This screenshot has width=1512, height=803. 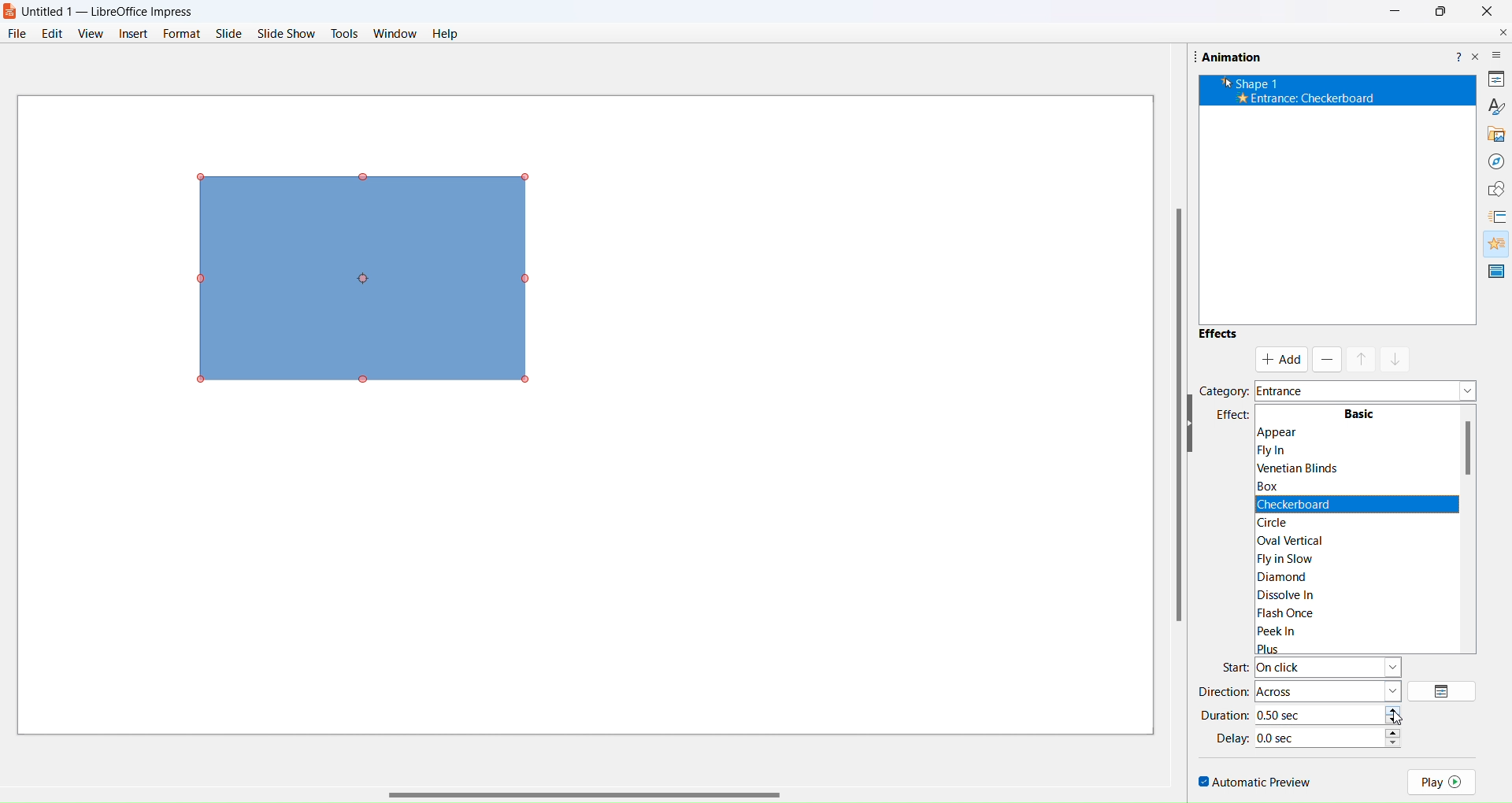 What do you see at coordinates (228, 34) in the screenshot?
I see `slide` at bounding box center [228, 34].